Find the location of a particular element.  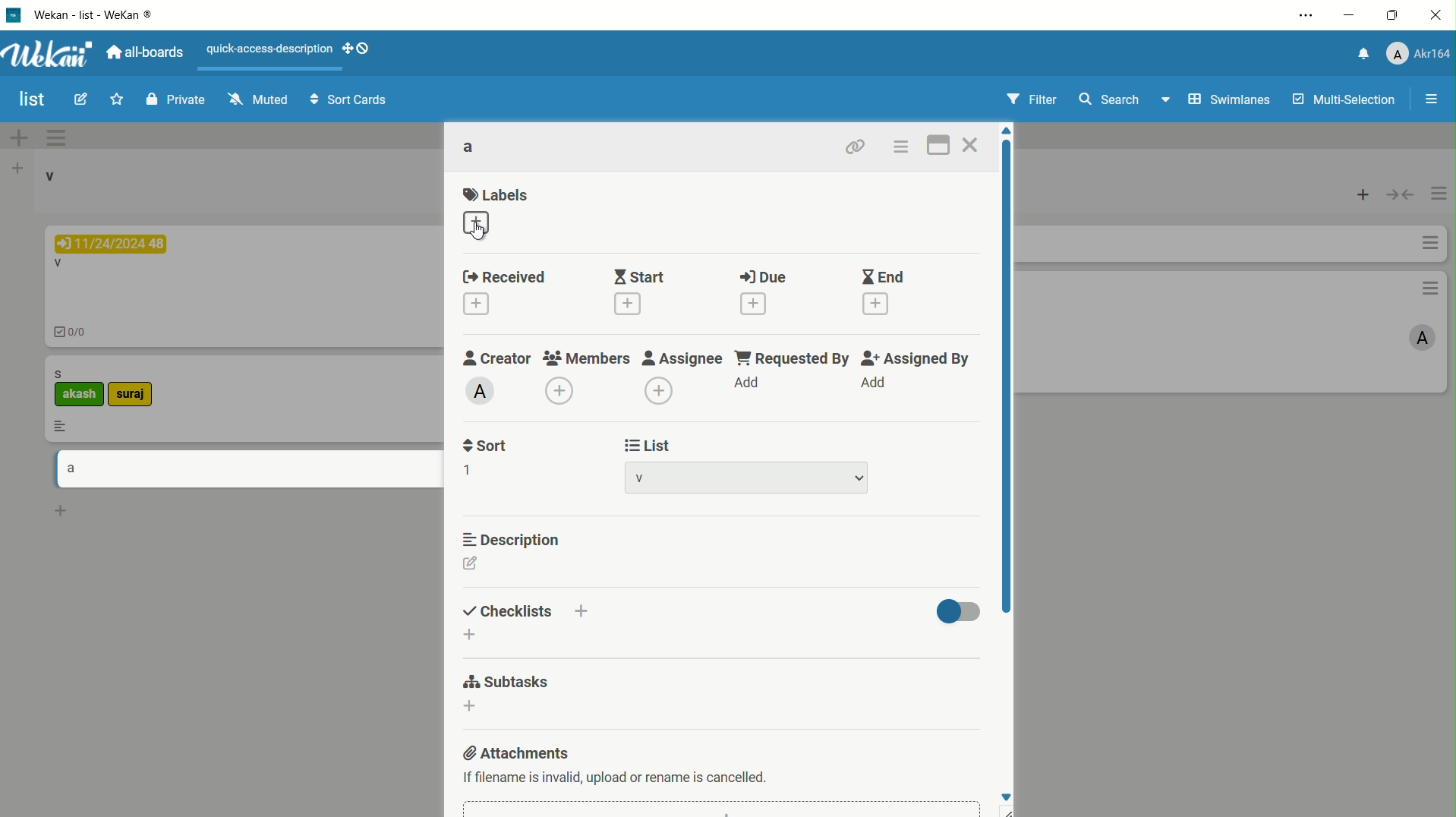

attachments is located at coordinates (519, 752).